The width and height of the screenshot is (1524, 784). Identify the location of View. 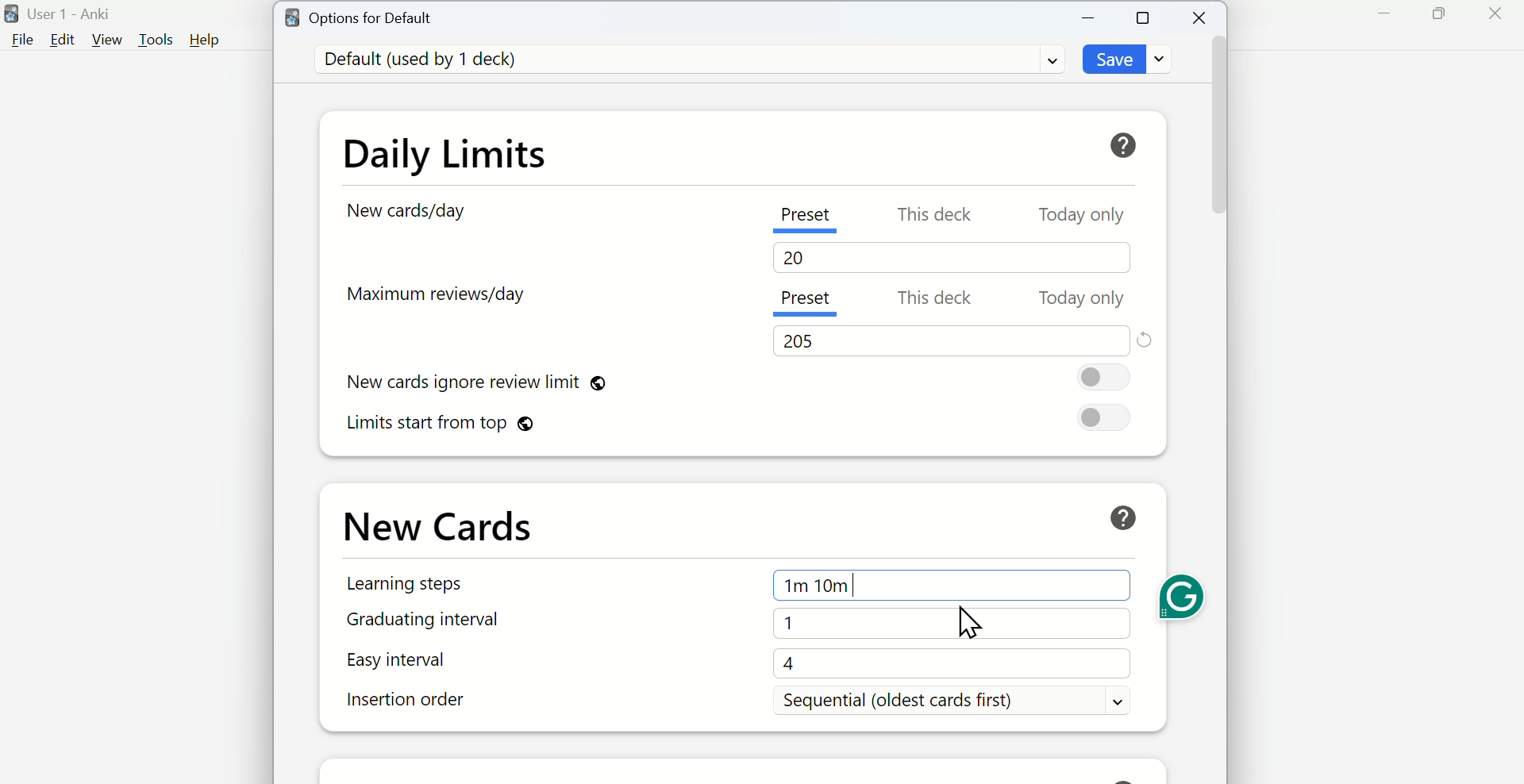
(109, 40).